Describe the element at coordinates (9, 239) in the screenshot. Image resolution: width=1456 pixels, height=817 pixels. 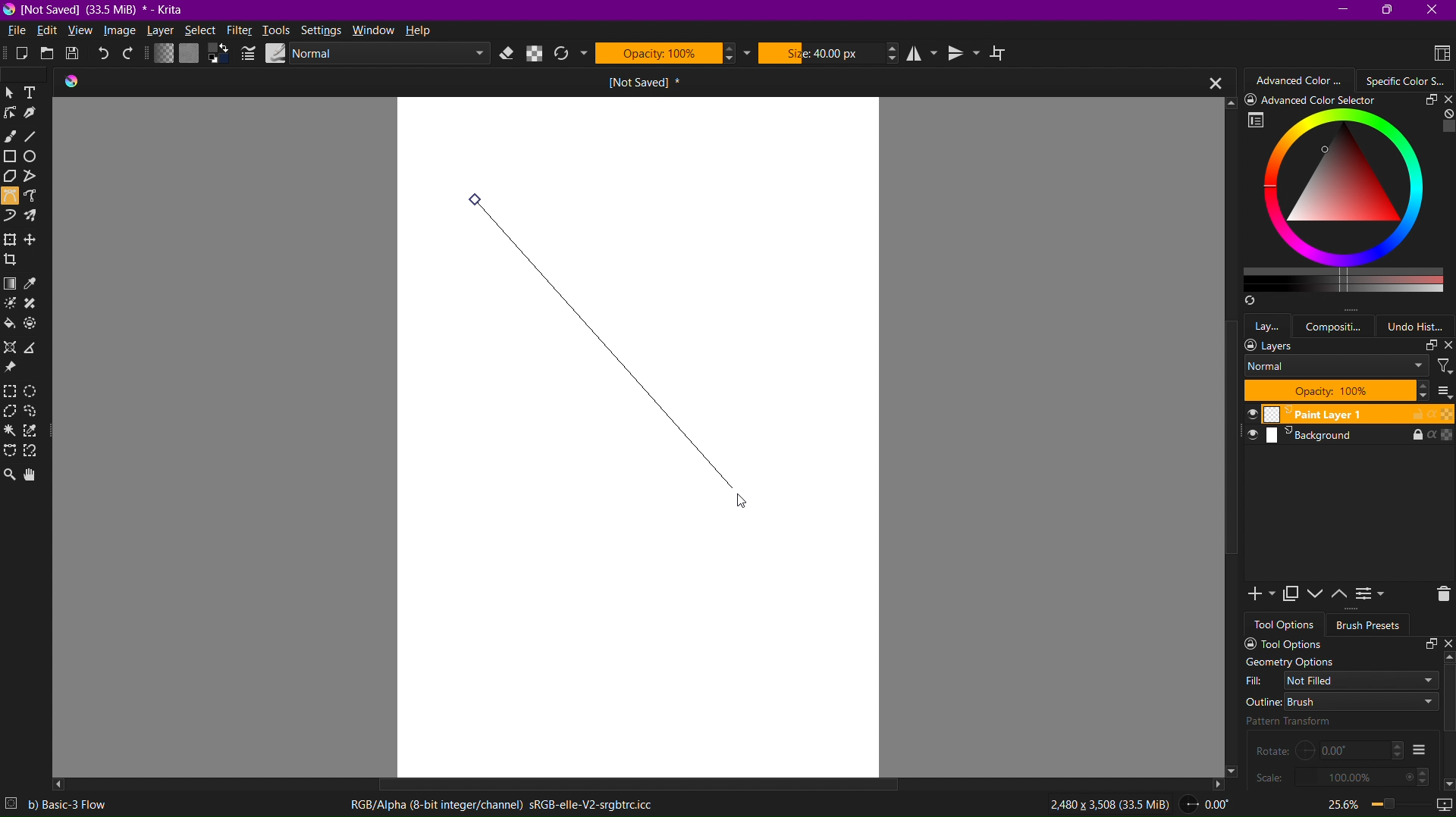
I see `Transform a layer or selection` at that location.